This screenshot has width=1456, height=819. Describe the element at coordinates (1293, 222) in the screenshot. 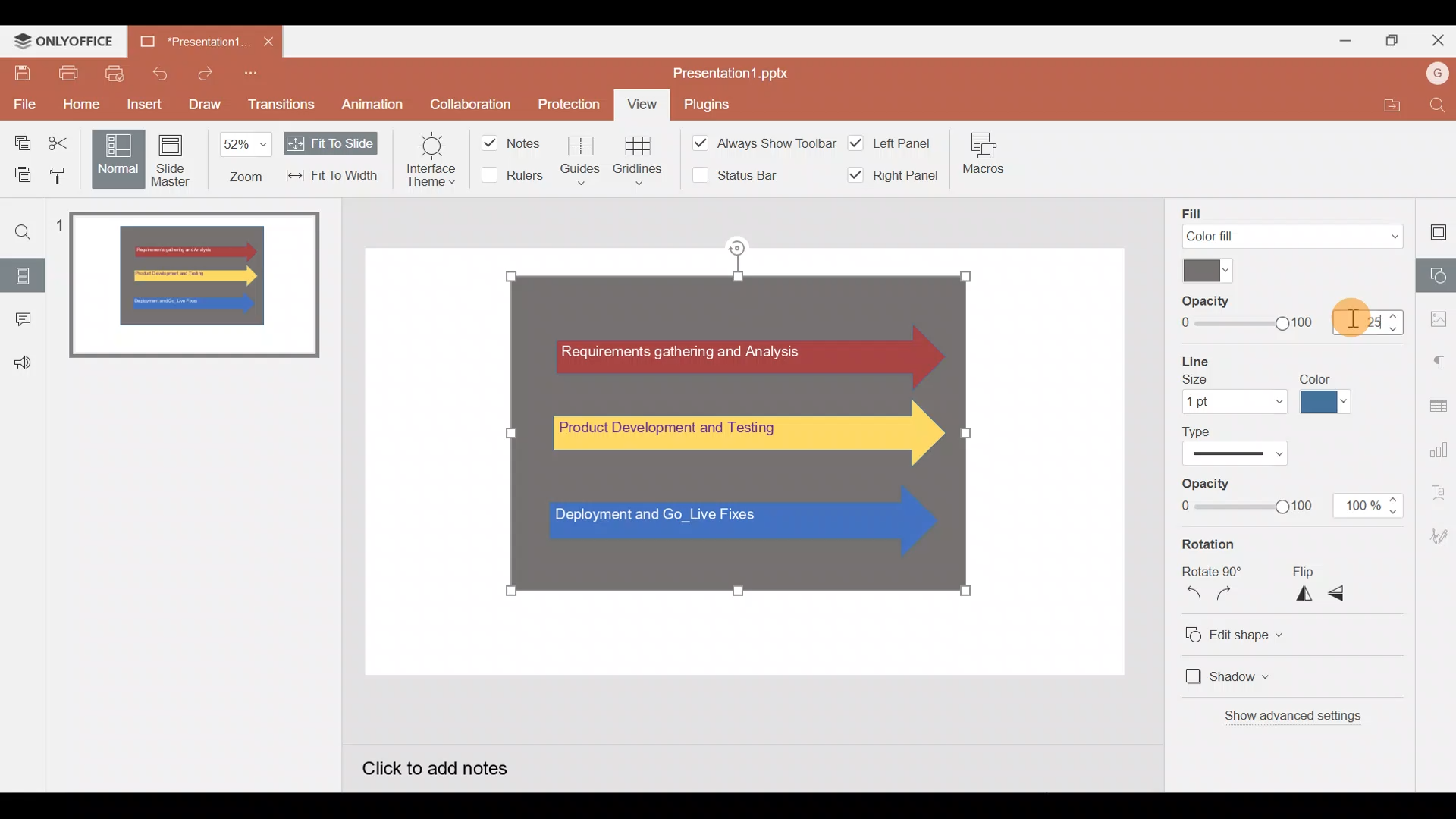

I see `Fill` at that location.